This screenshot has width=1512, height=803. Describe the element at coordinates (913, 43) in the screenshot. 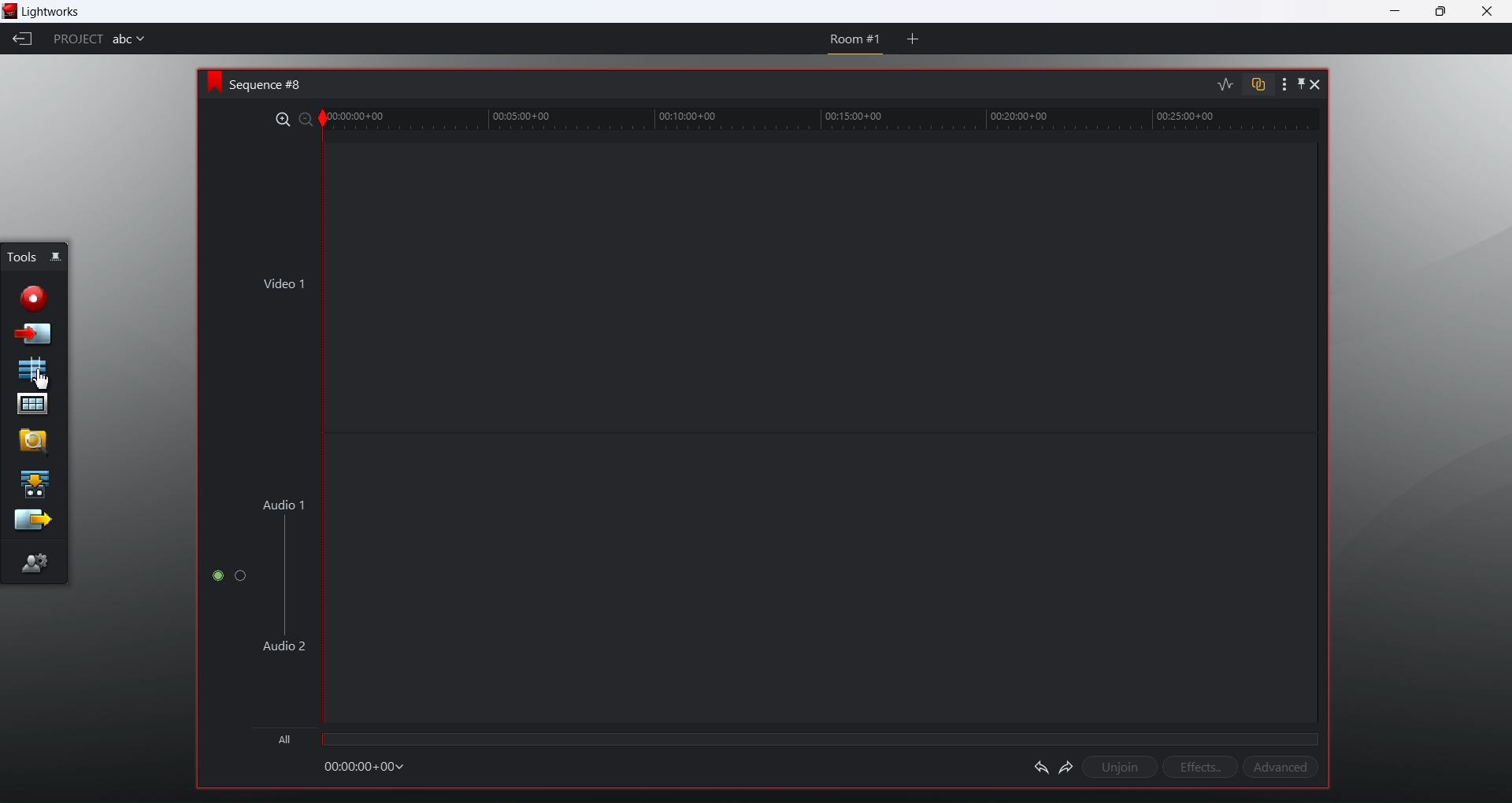

I see `add room` at that location.